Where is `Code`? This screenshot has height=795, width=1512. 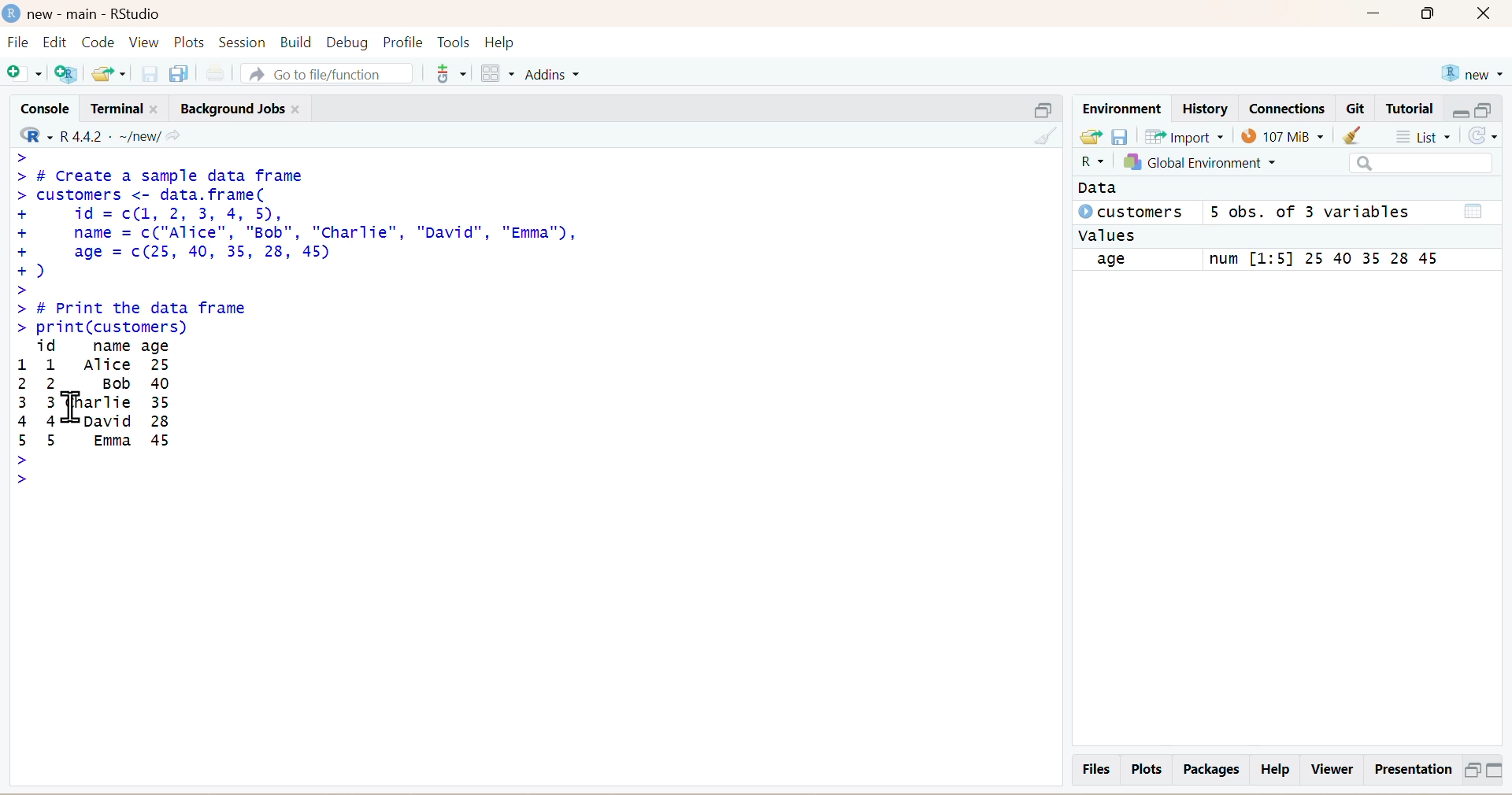 Code is located at coordinates (100, 42).